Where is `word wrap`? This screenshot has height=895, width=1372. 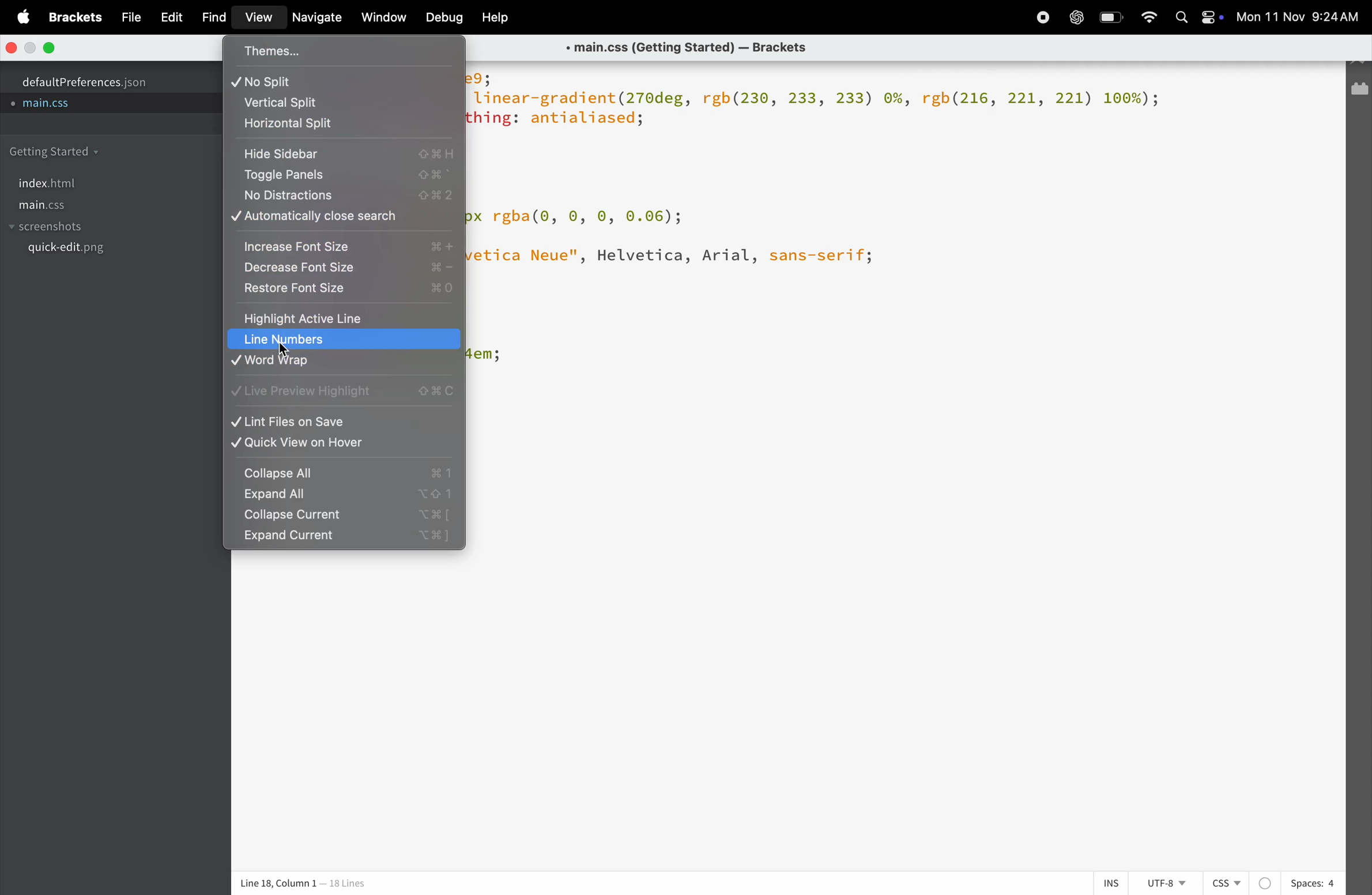 word wrap is located at coordinates (341, 364).